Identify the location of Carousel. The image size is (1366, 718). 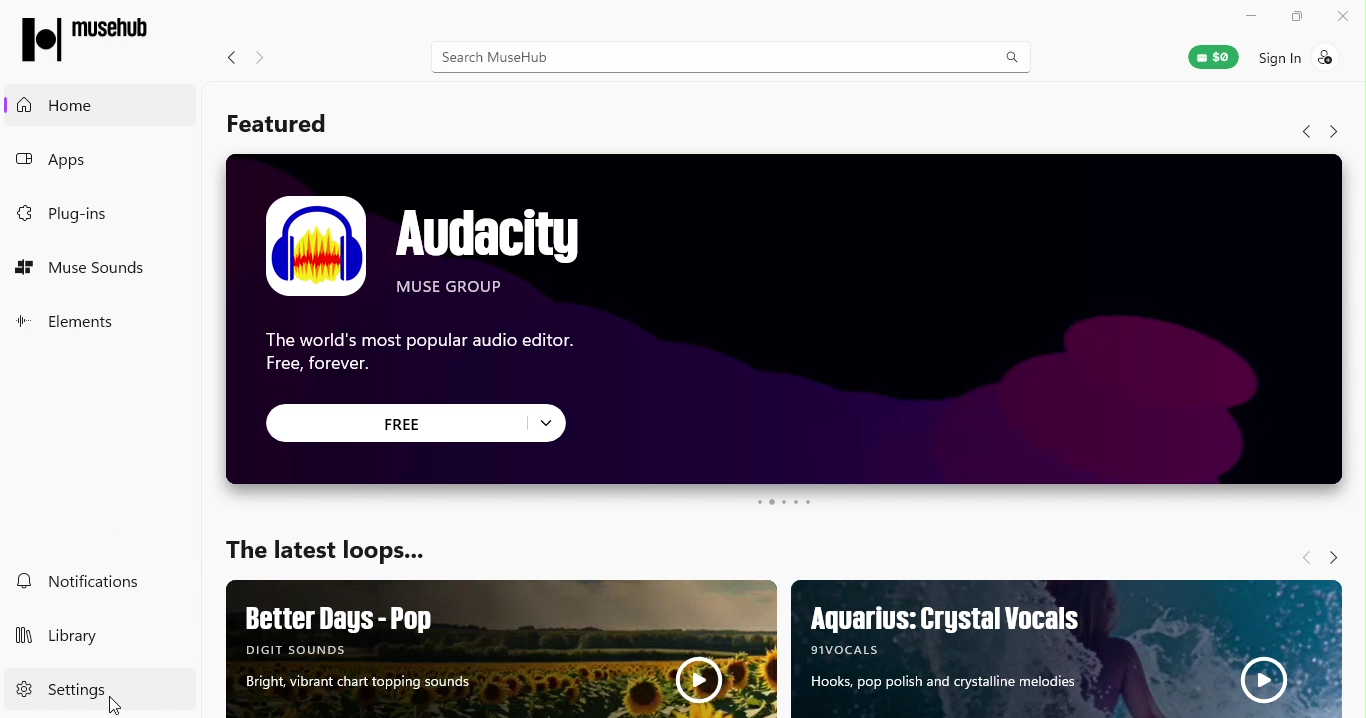
(786, 504).